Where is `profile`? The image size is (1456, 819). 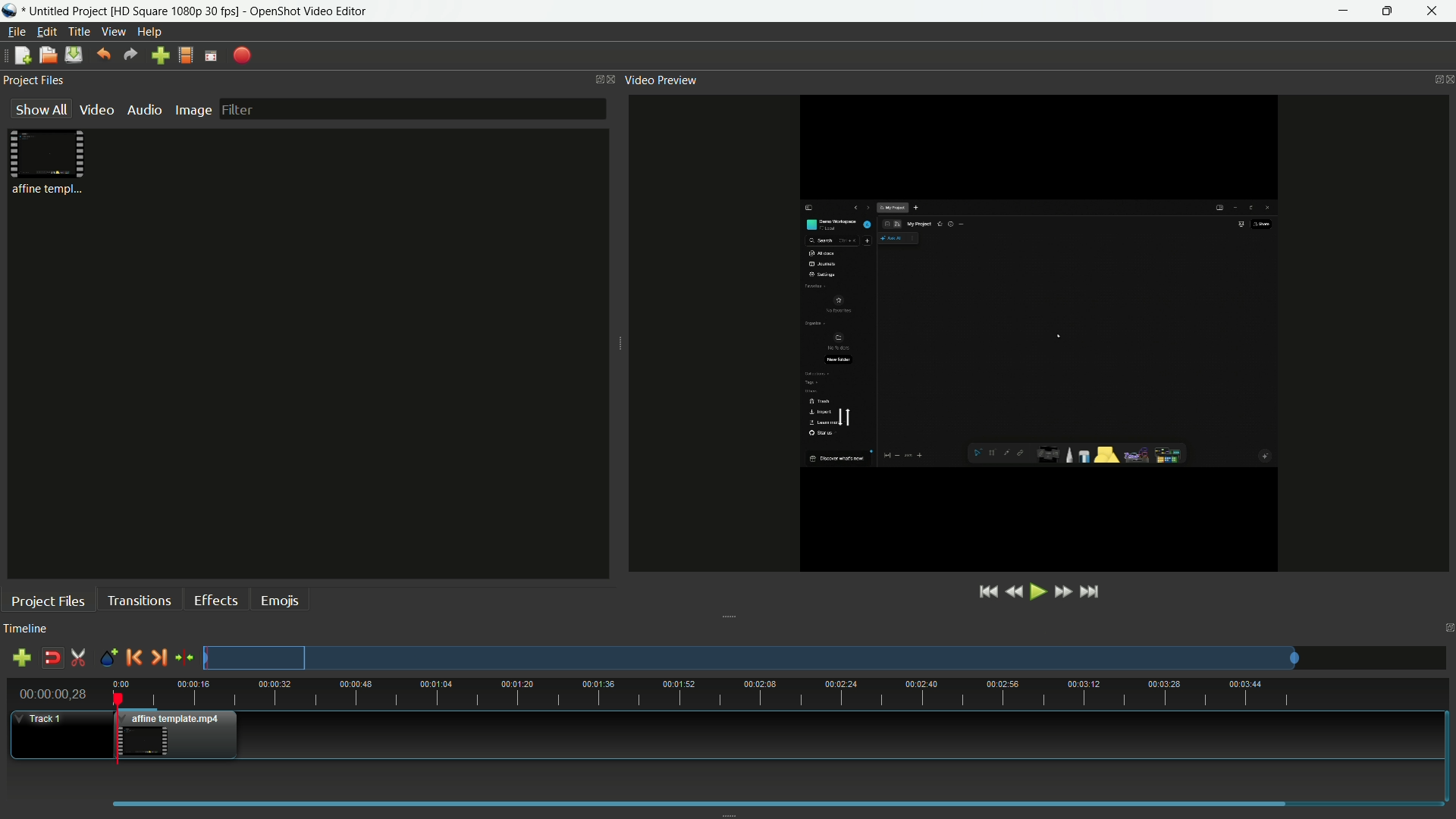 profile is located at coordinates (177, 11).